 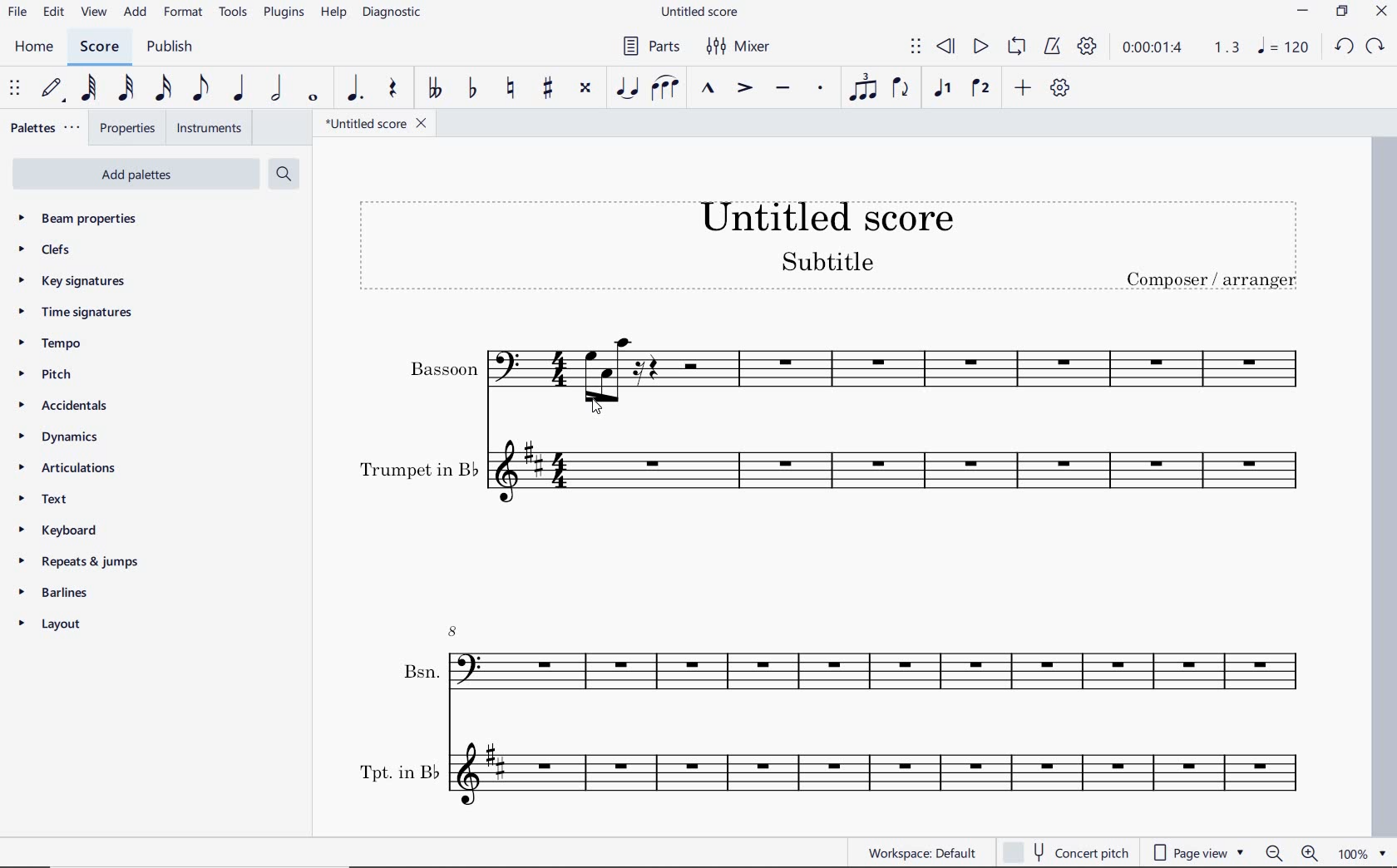 What do you see at coordinates (864, 86) in the screenshot?
I see `tuplet` at bounding box center [864, 86].